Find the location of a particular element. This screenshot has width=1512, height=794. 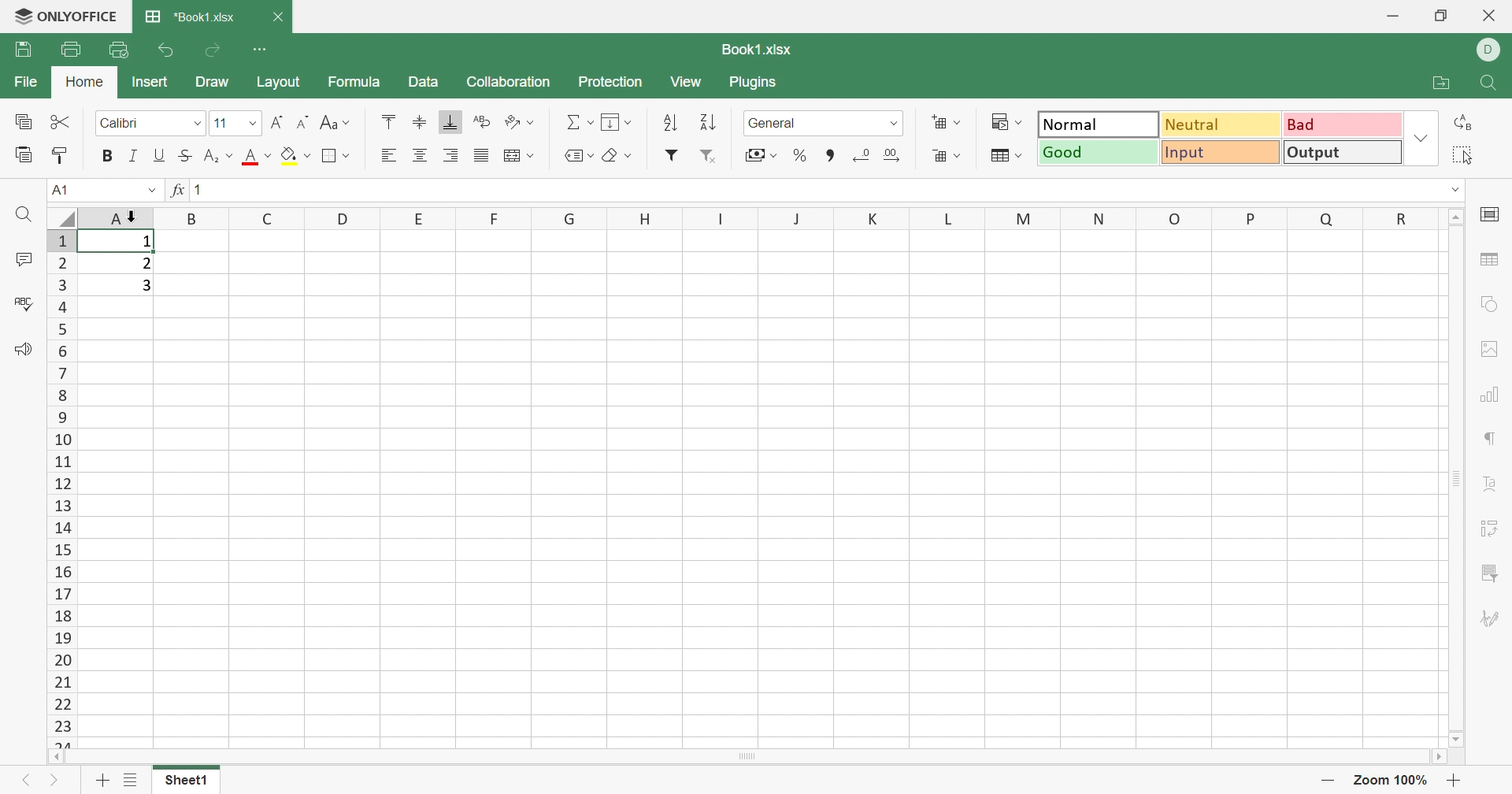

Book1.xlsx is located at coordinates (759, 50).